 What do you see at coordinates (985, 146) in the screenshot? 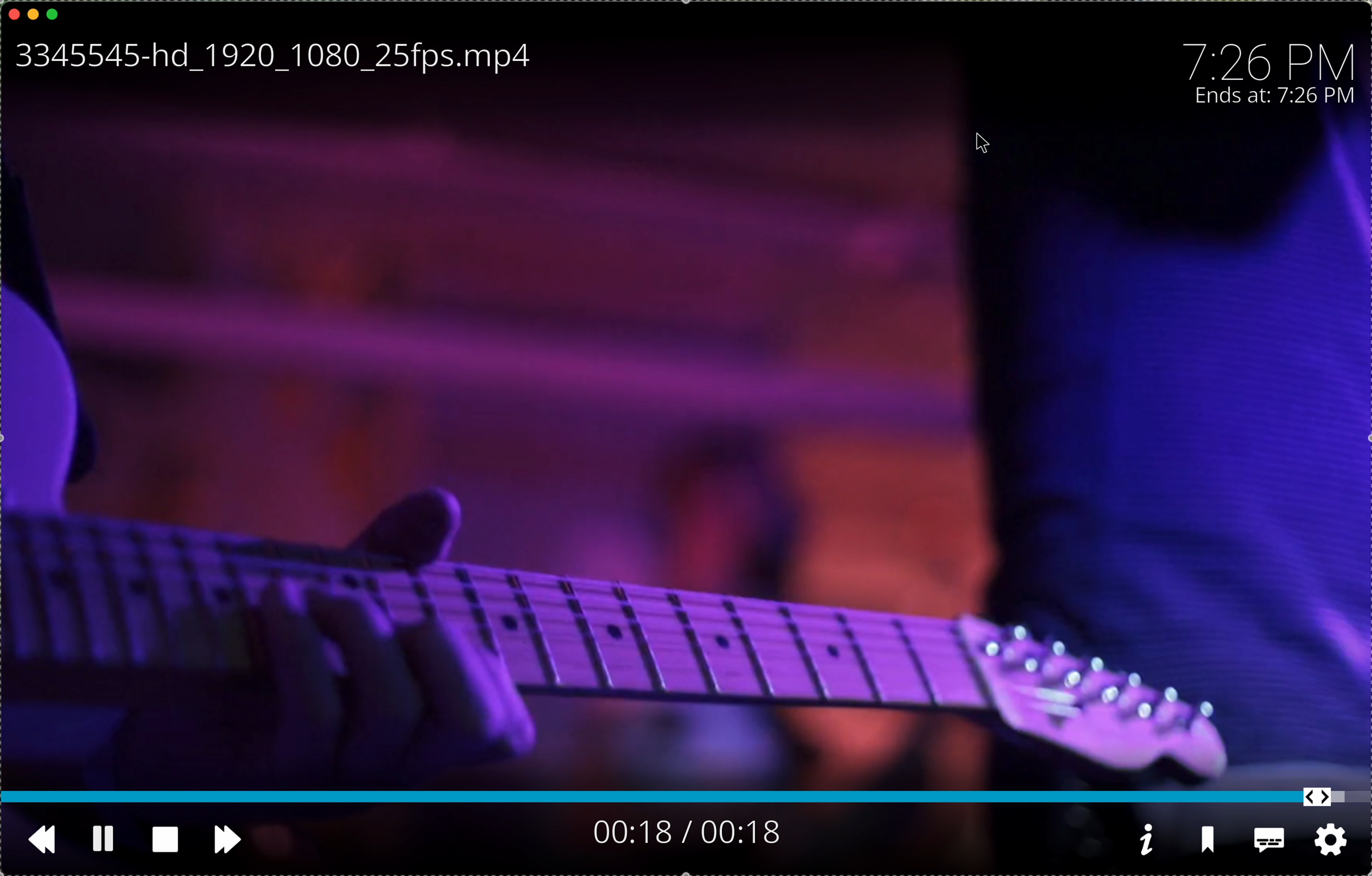
I see `pointer` at bounding box center [985, 146].